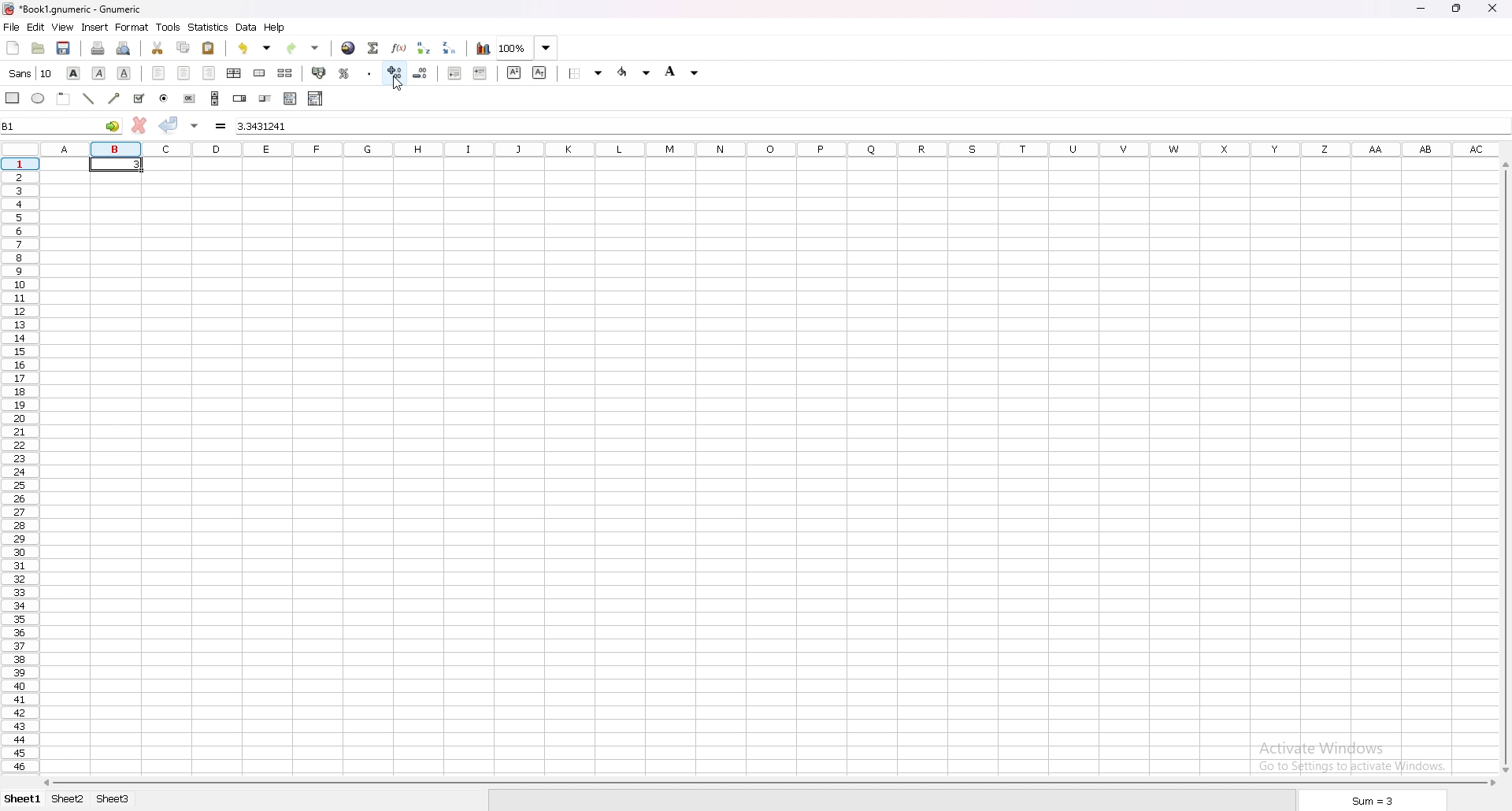 The height and width of the screenshot is (811, 1512). Describe the element at coordinates (39, 48) in the screenshot. I see `open` at that location.